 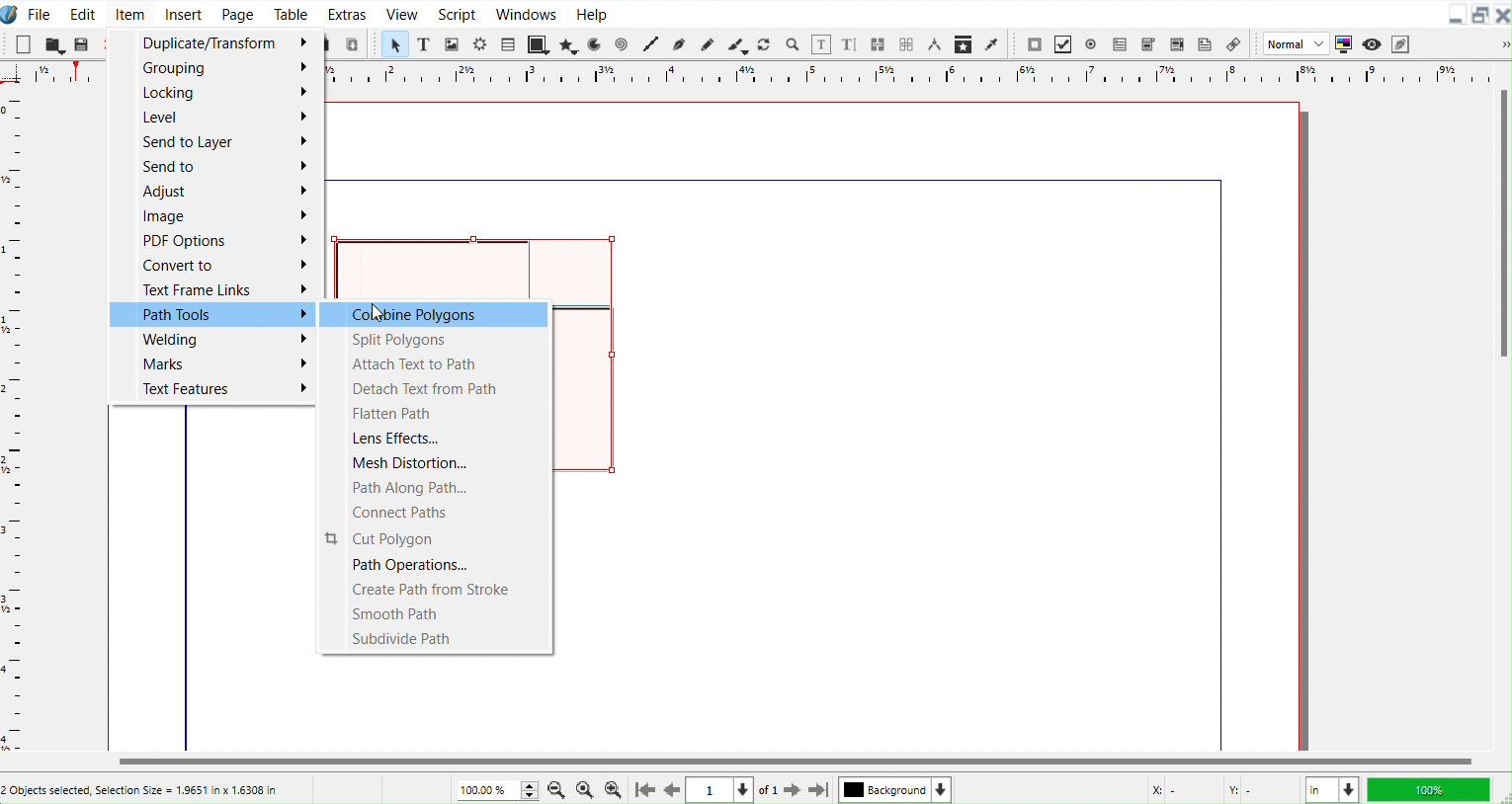 What do you see at coordinates (557, 789) in the screenshot?
I see `Zoom Out` at bounding box center [557, 789].